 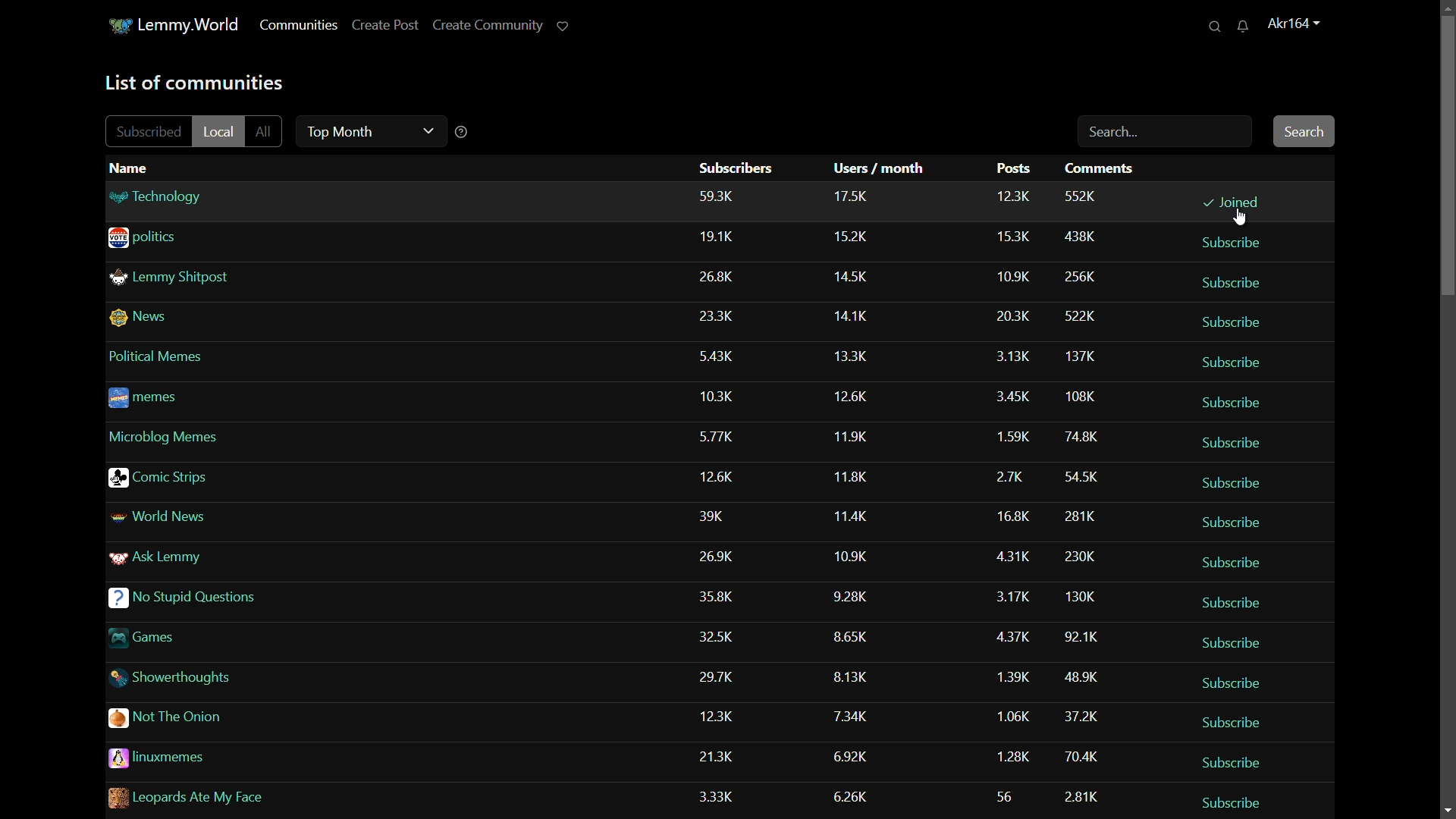 I want to click on comments, so click(x=1081, y=757).